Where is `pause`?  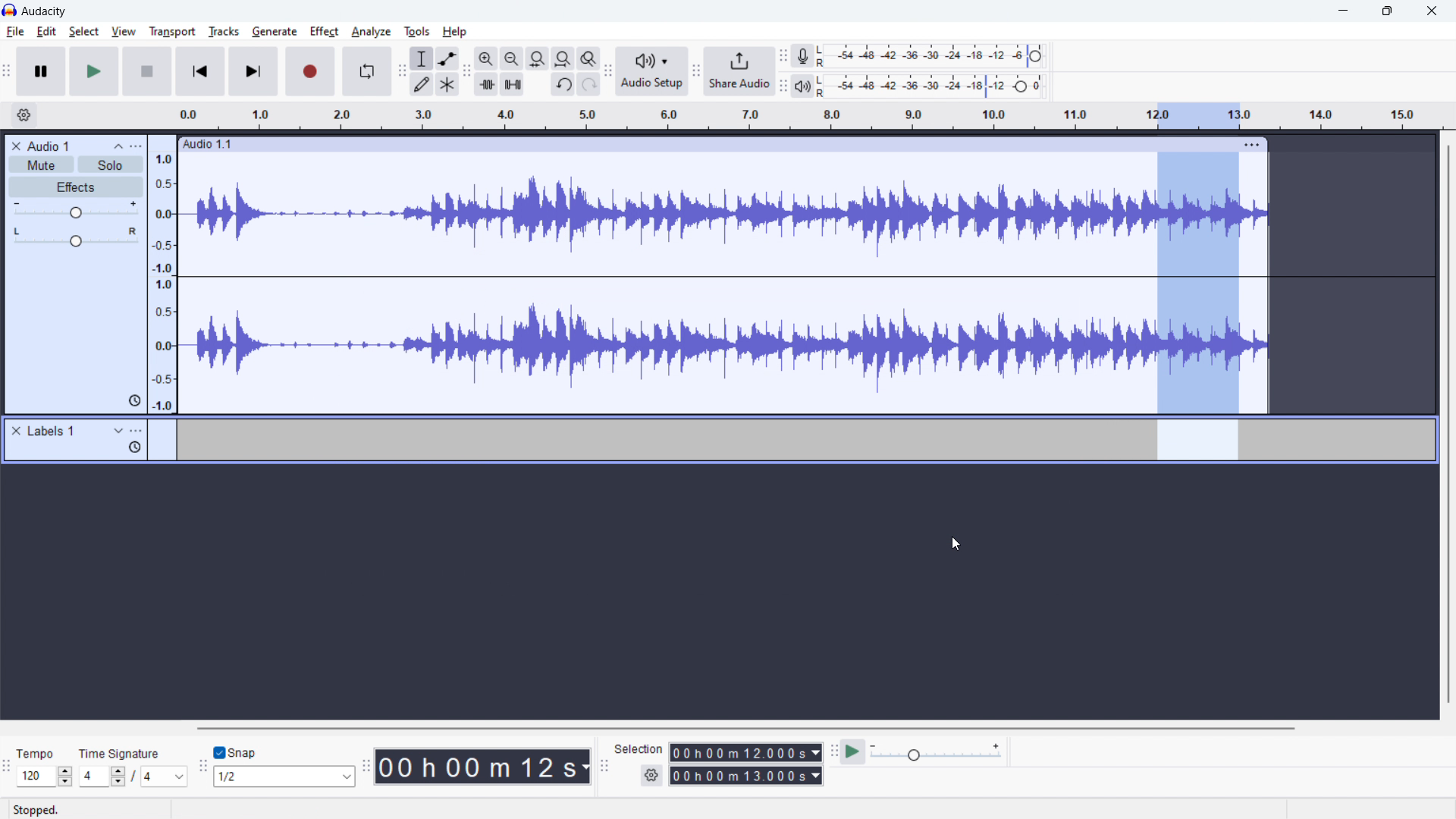 pause is located at coordinates (41, 72).